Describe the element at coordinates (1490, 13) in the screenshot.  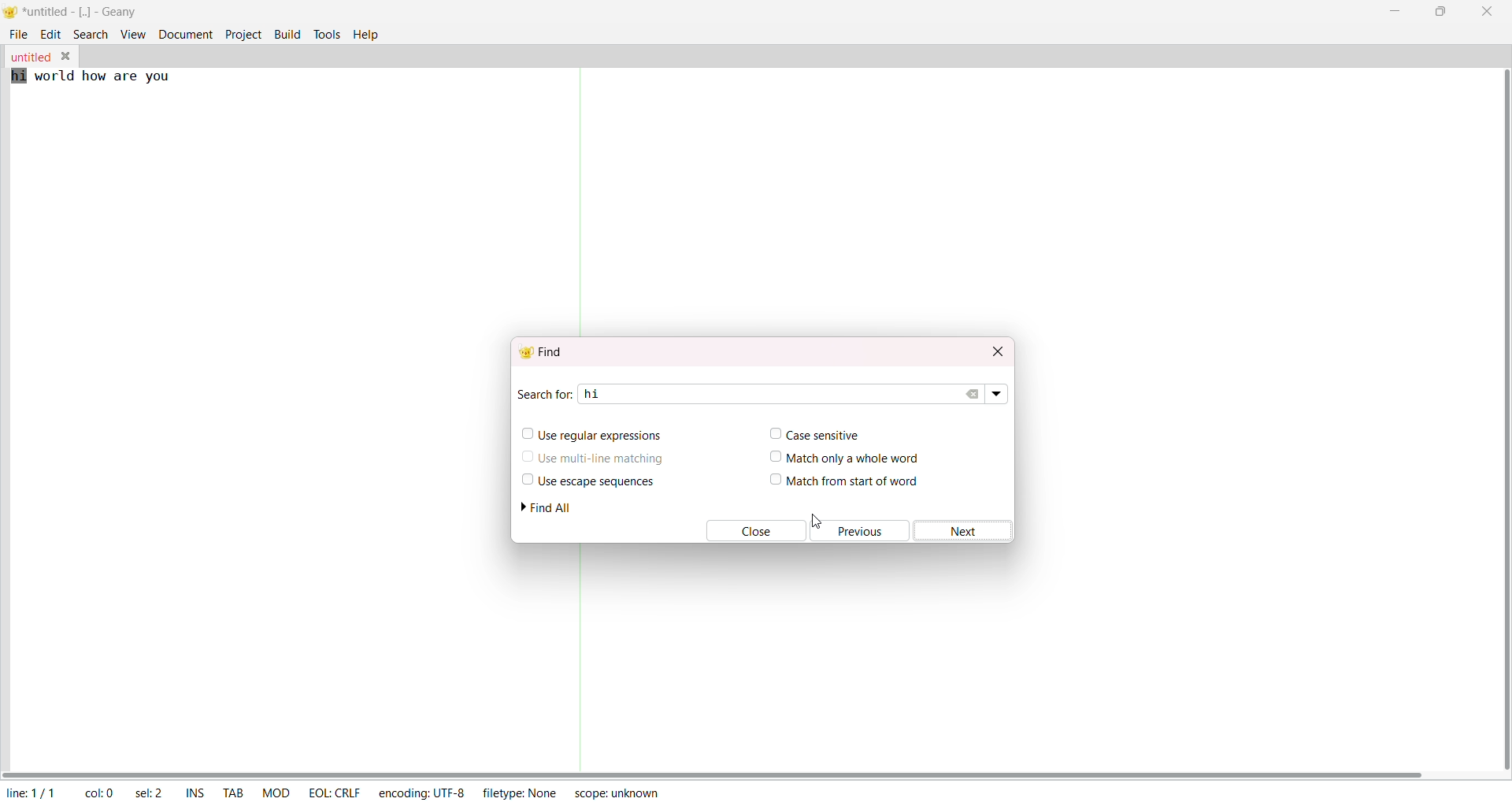
I see `close` at that location.